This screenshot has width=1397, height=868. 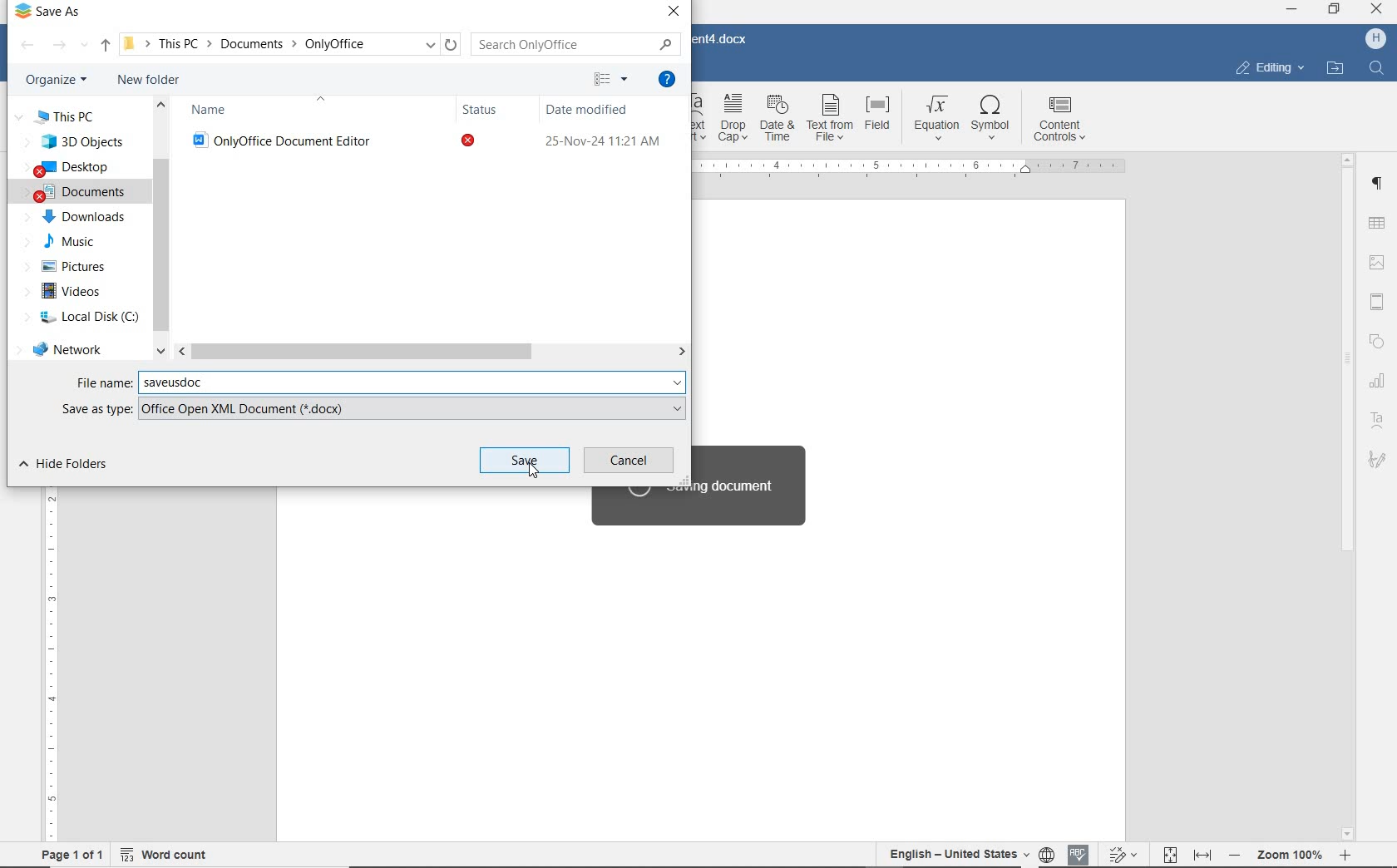 What do you see at coordinates (698, 116) in the screenshot?
I see `Text Art` at bounding box center [698, 116].